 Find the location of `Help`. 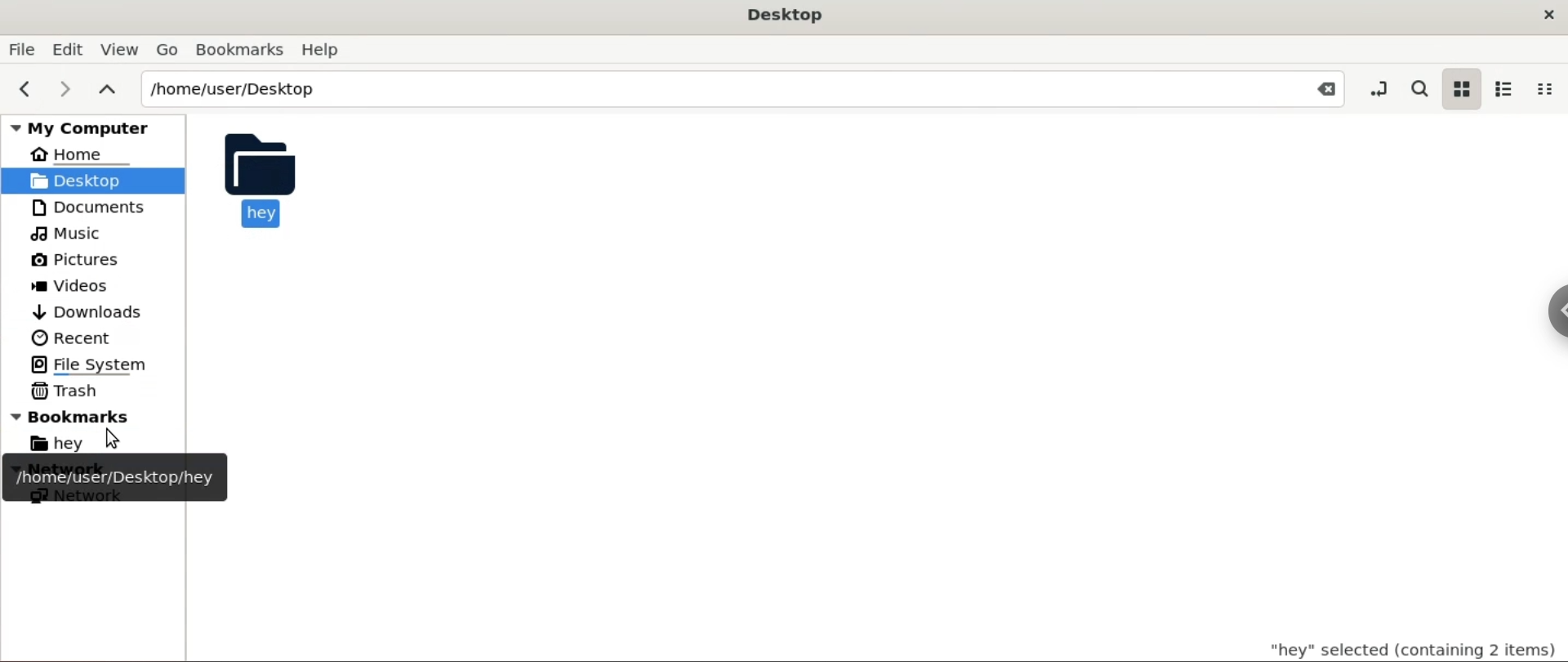

Help is located at coordinates (325, 51).